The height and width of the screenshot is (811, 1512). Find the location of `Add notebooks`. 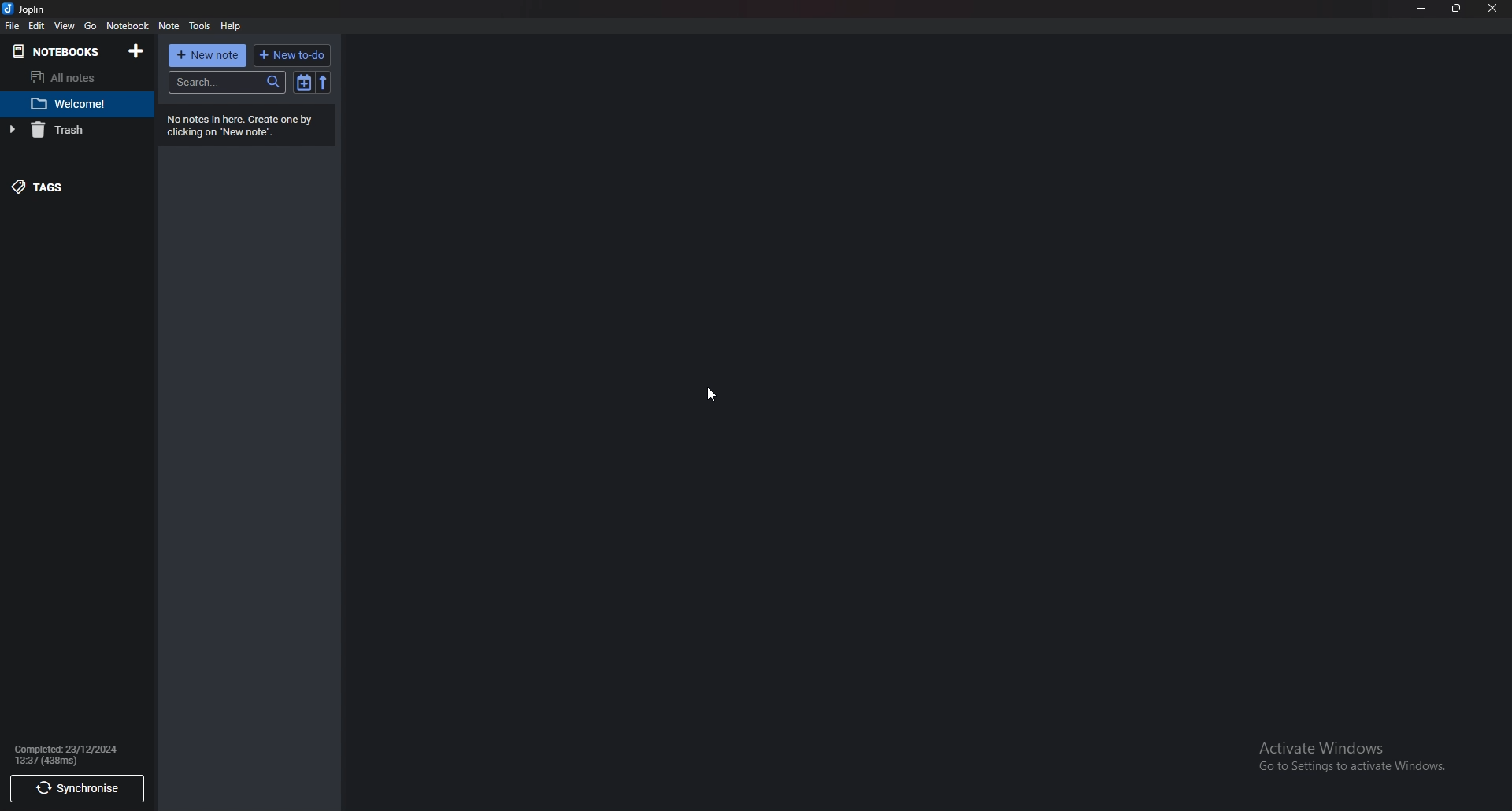

Add notebooks is located at coordinates (138, 50).